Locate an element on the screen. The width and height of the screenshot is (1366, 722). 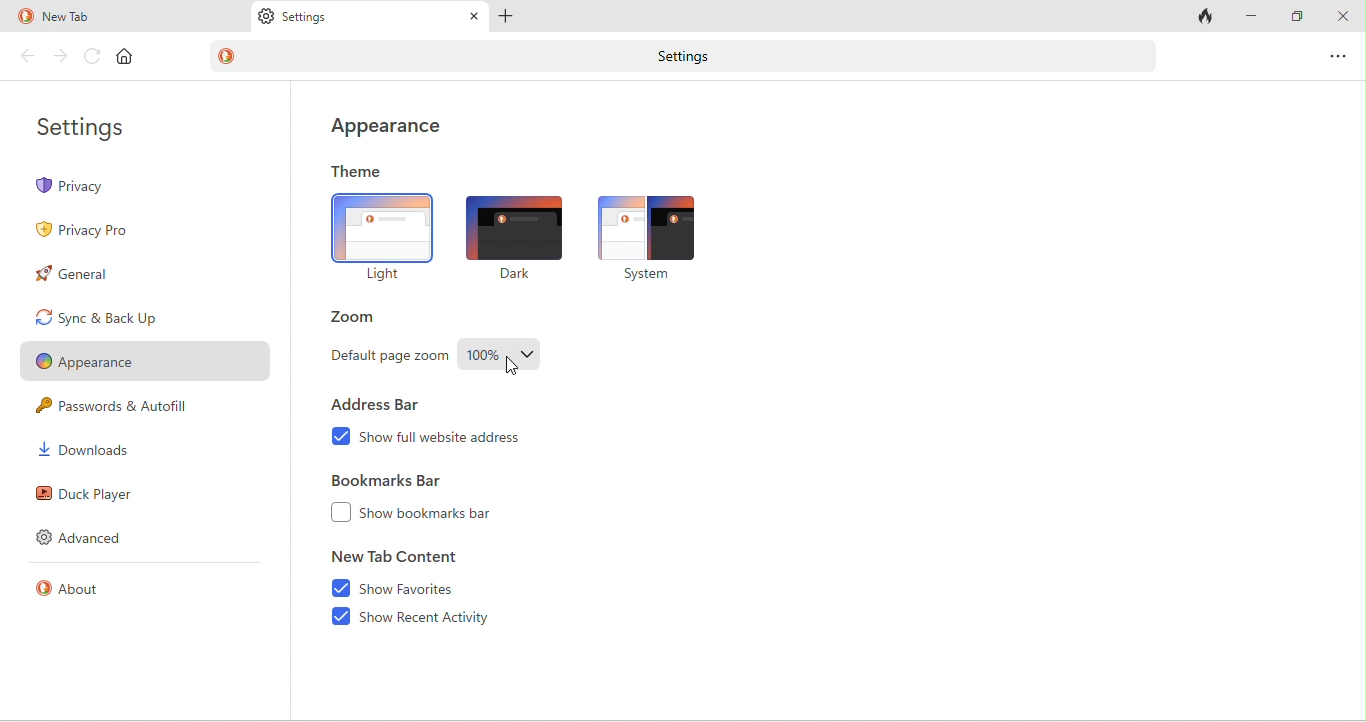
forward is located at coordinates (62, 56).